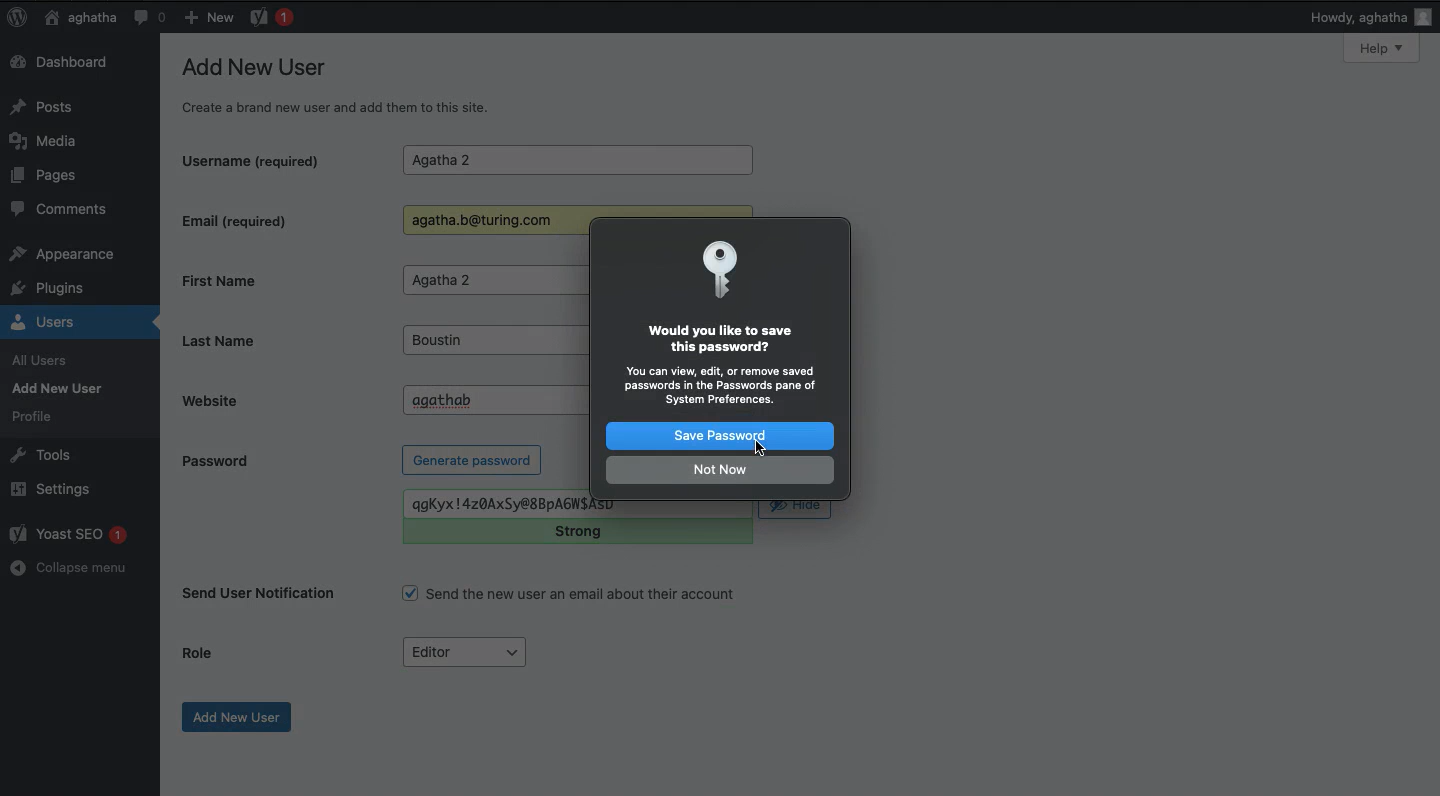  What do you see at coordinates (208, 16) in the screenshot?
I see `New` at bounding box center [208, 16].